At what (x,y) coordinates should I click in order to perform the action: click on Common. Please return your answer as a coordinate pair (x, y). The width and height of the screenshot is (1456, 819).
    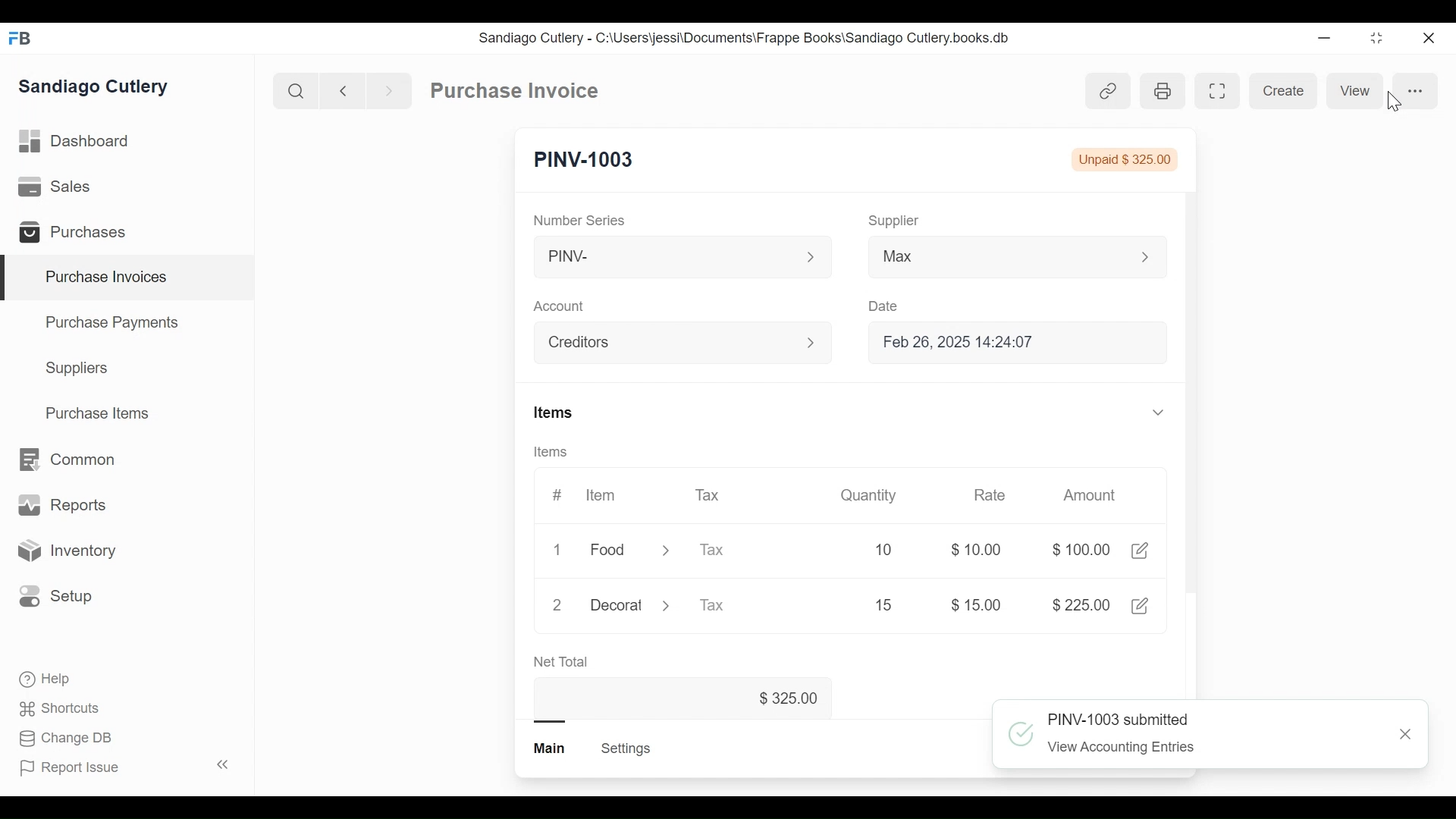
    Looking at the image, I should click on (65, 460).